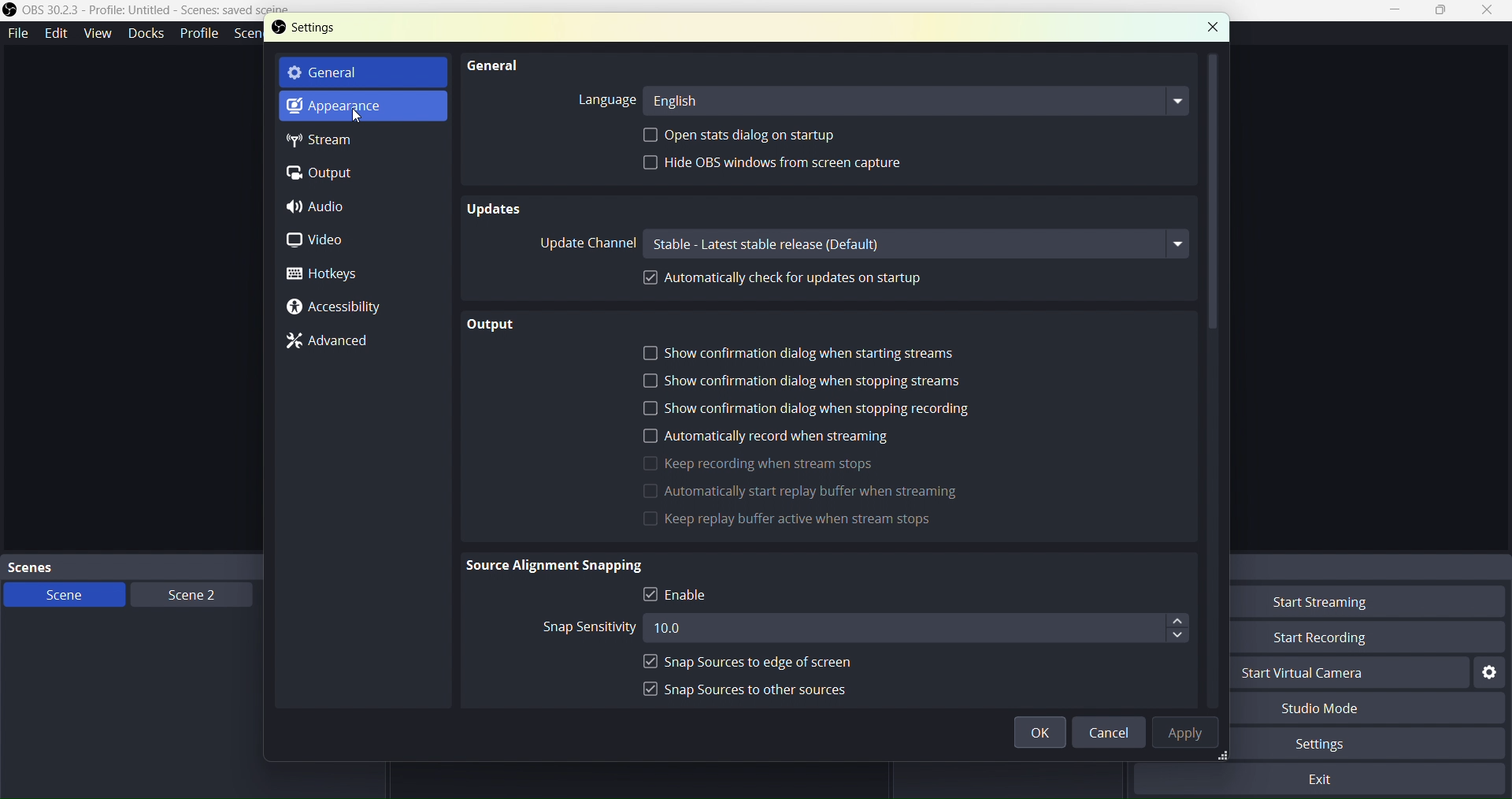 The height and width of the screenshot is (799, 1512). Describe the element at coordinates (1343, 675) in the screenshot. I see `Start Virtual Camera` at that location.